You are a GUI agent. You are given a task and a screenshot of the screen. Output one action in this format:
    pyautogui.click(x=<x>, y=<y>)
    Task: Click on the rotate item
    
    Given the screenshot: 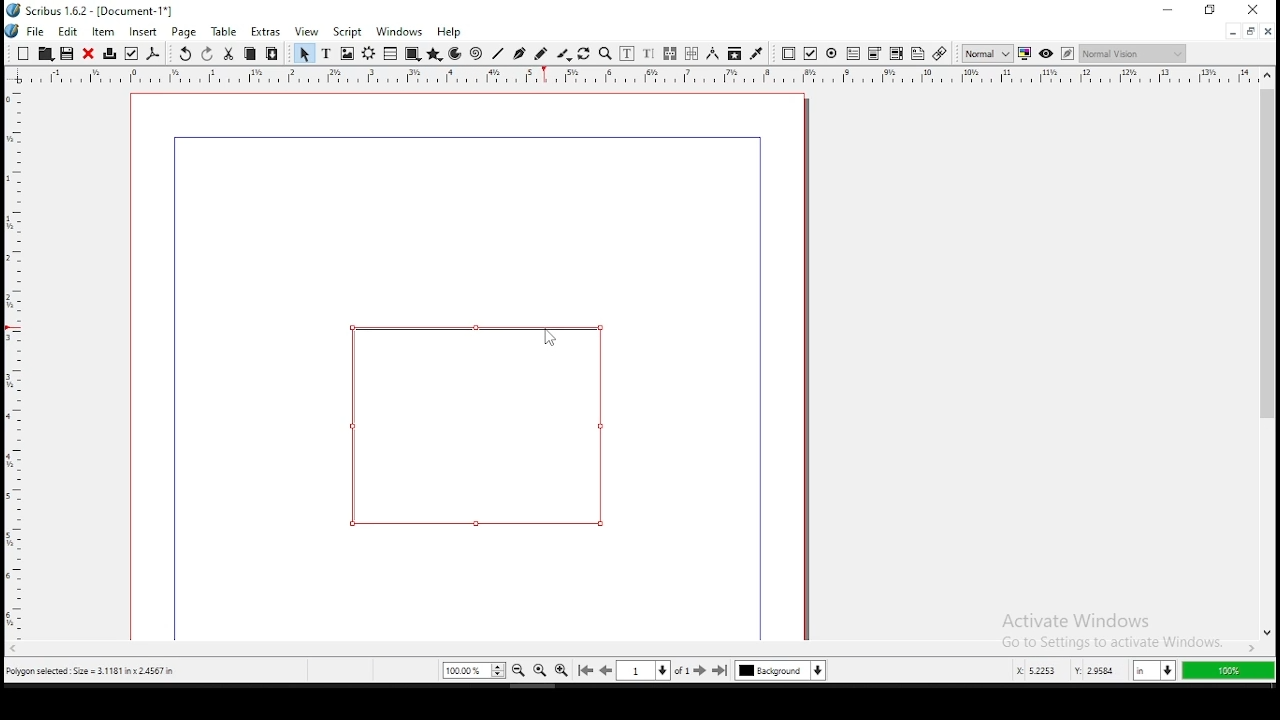 What is the action you would take?
    pyautogui.click(x=584, y=54)
    